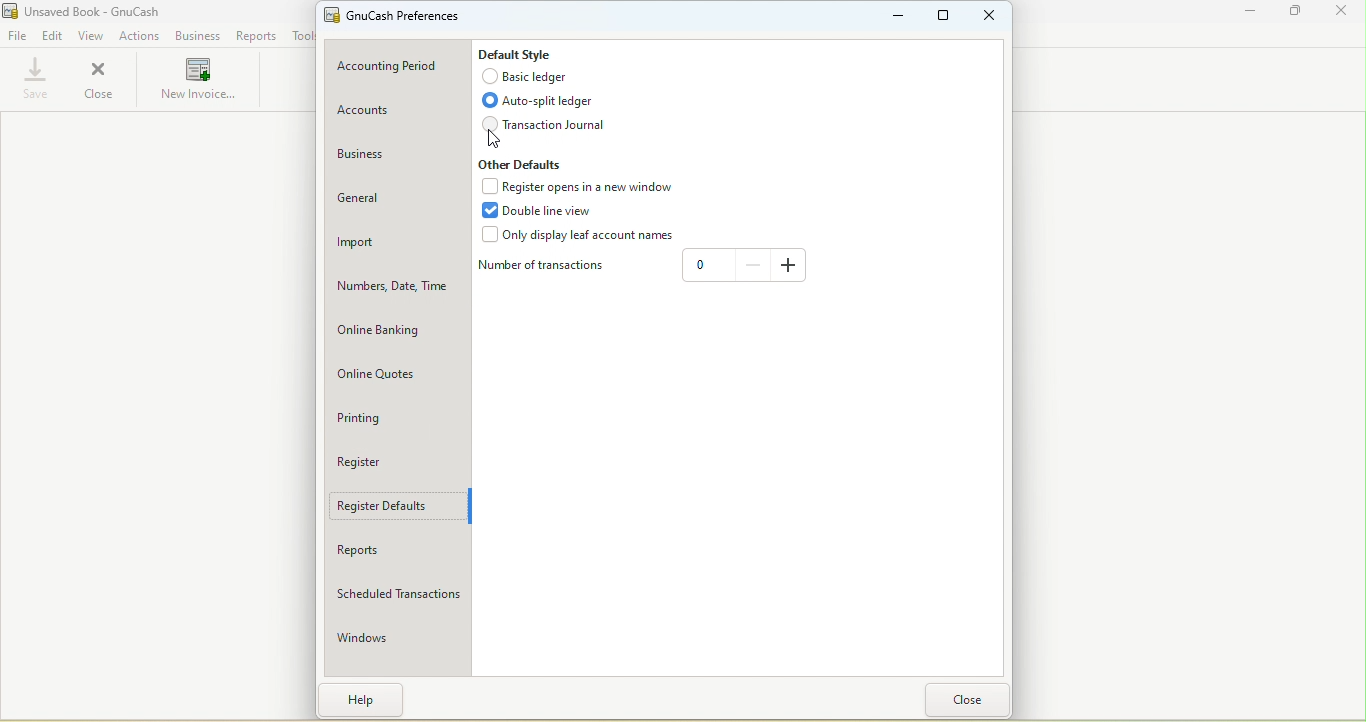 This screenshot has height=722, width=1366. Describe the element at coordinates (495, 139) in the screenshot. I see `cursor` at that location.